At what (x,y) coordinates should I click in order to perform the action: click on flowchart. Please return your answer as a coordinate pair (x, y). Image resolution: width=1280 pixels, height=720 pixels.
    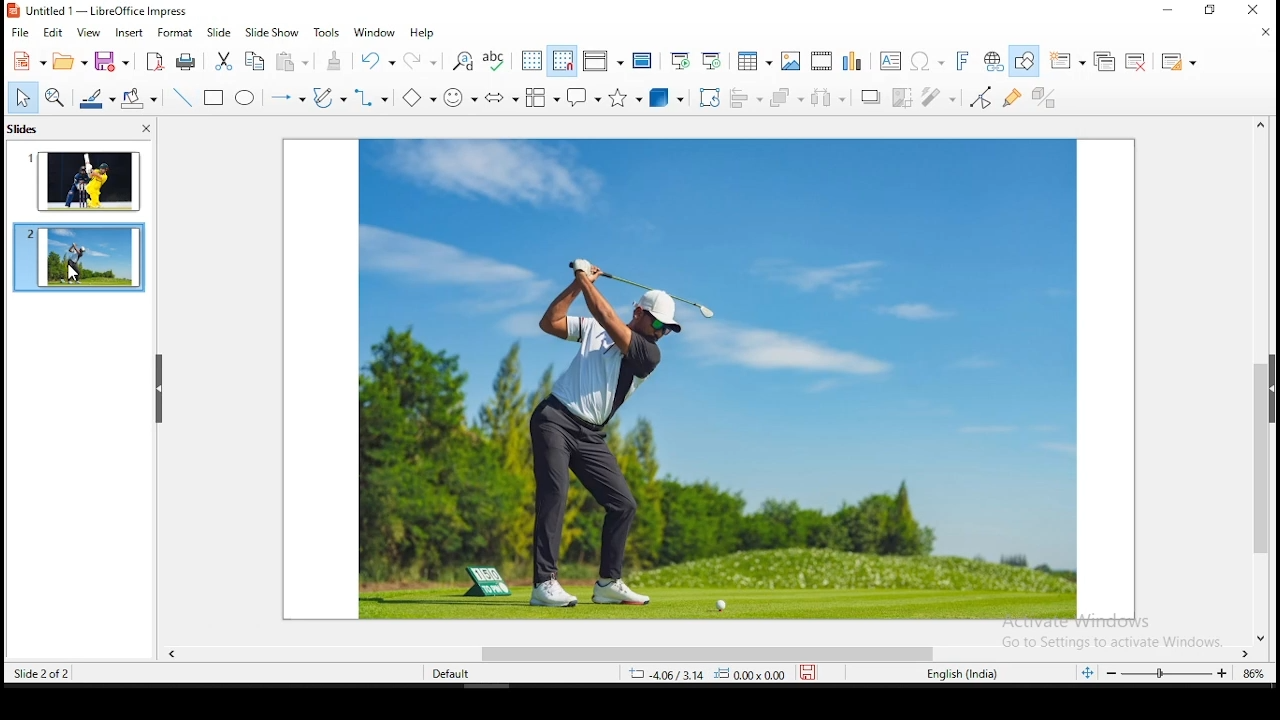
    Looking at the image, I should click on (541, 97).